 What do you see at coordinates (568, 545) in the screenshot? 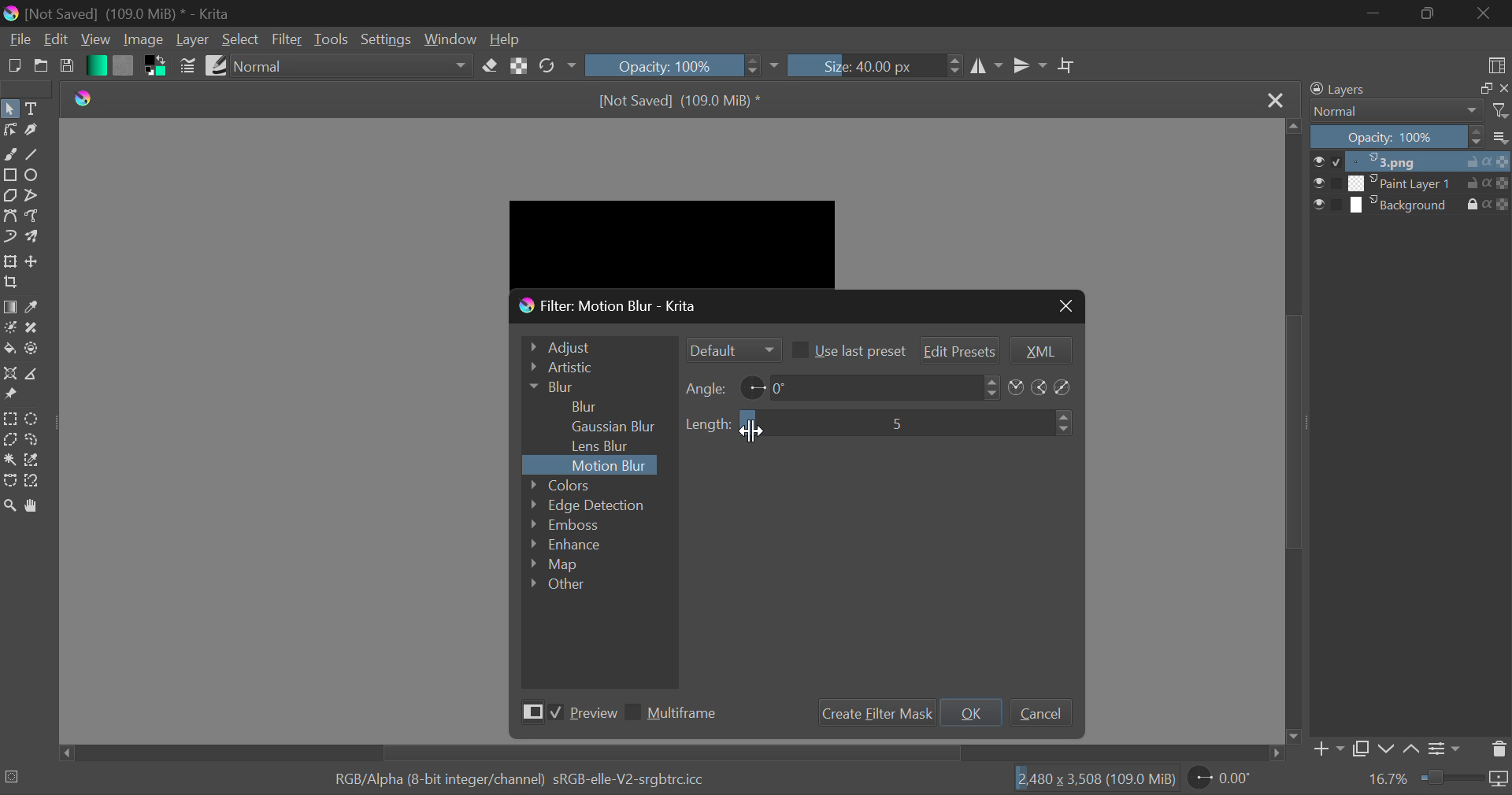
I see `Enhance` at bounding box center [568, 545].